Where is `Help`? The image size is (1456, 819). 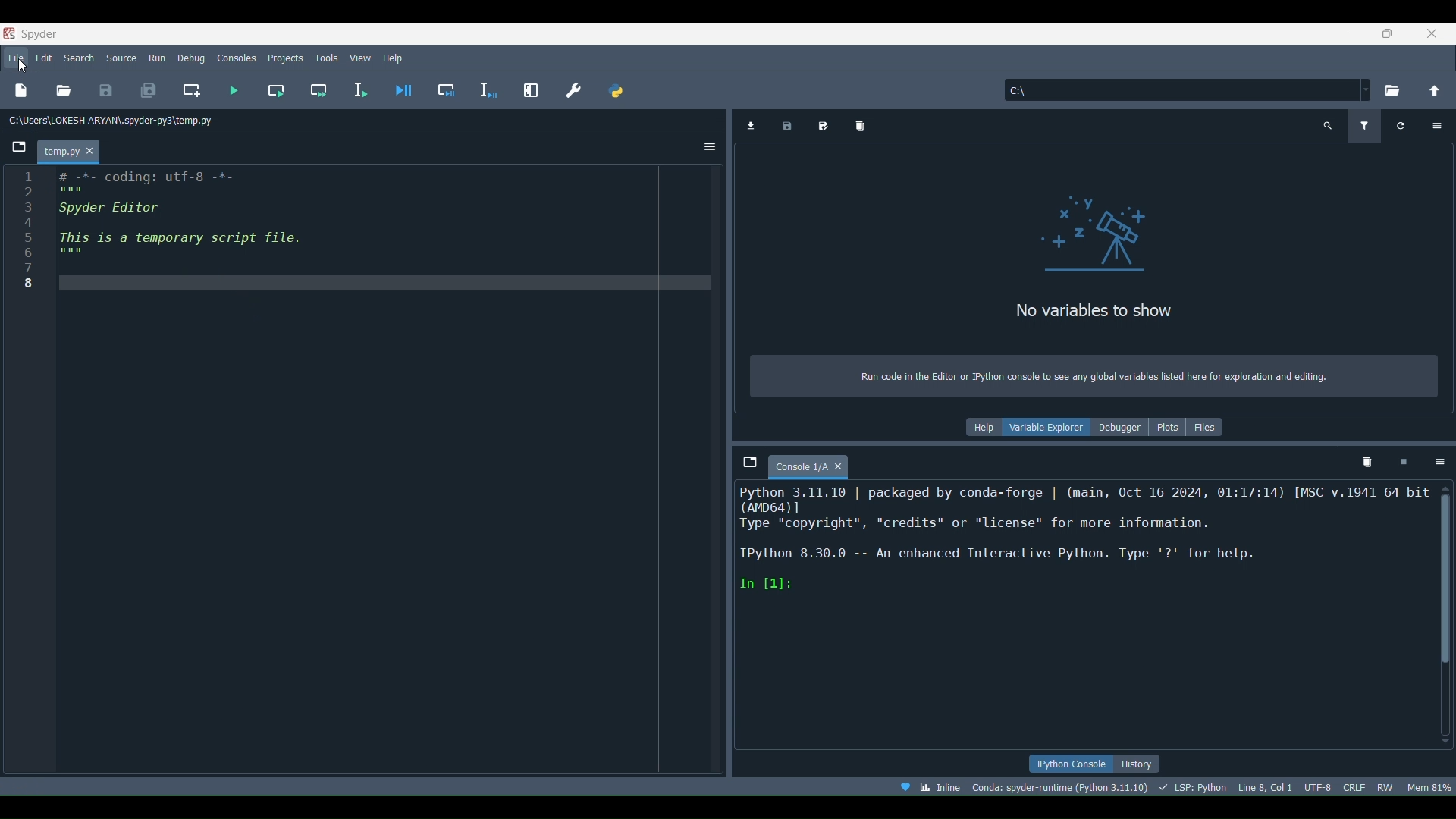
Help is located at coordinates (397, 56).